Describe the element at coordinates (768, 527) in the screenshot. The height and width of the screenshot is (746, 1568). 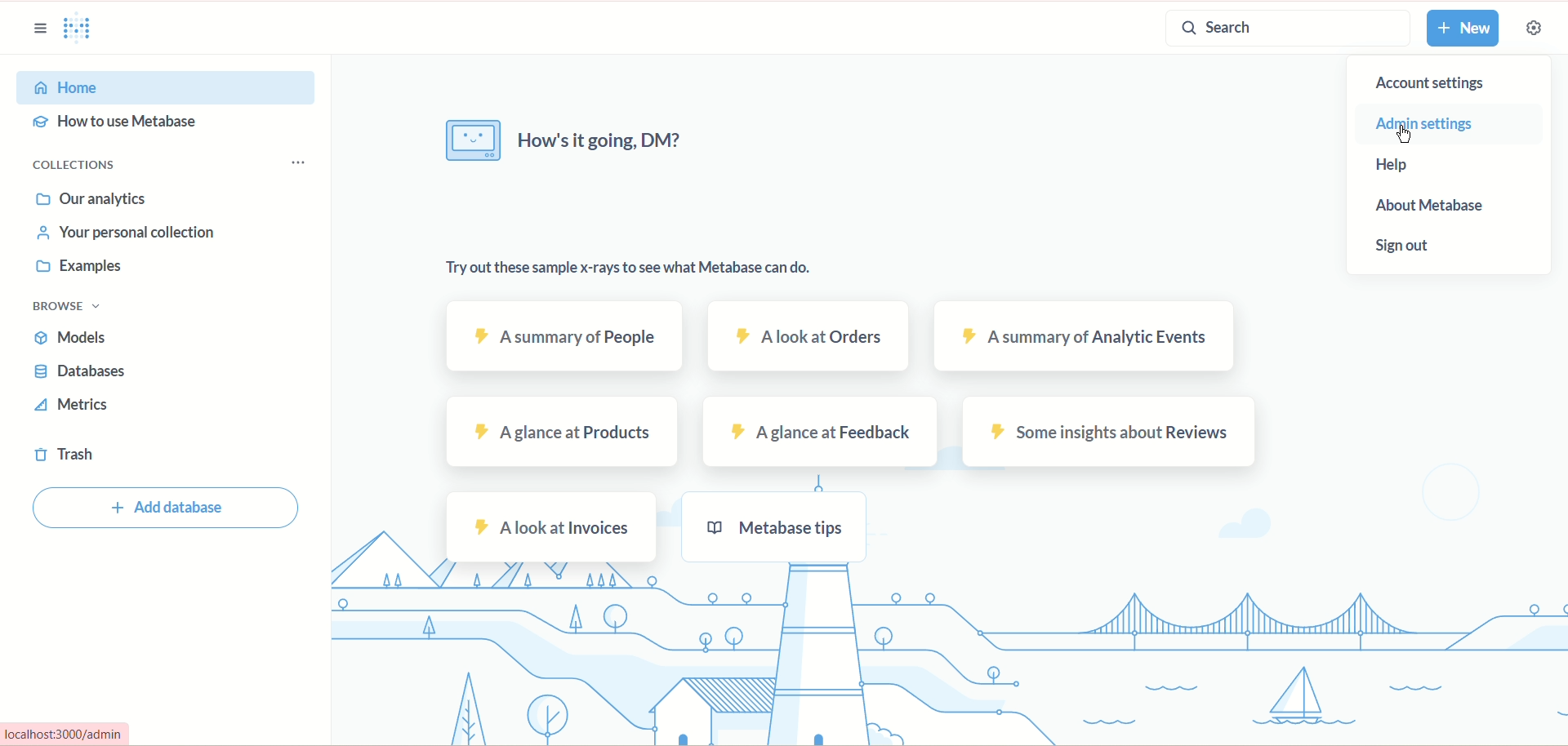
I see `metabase tips` at that location.